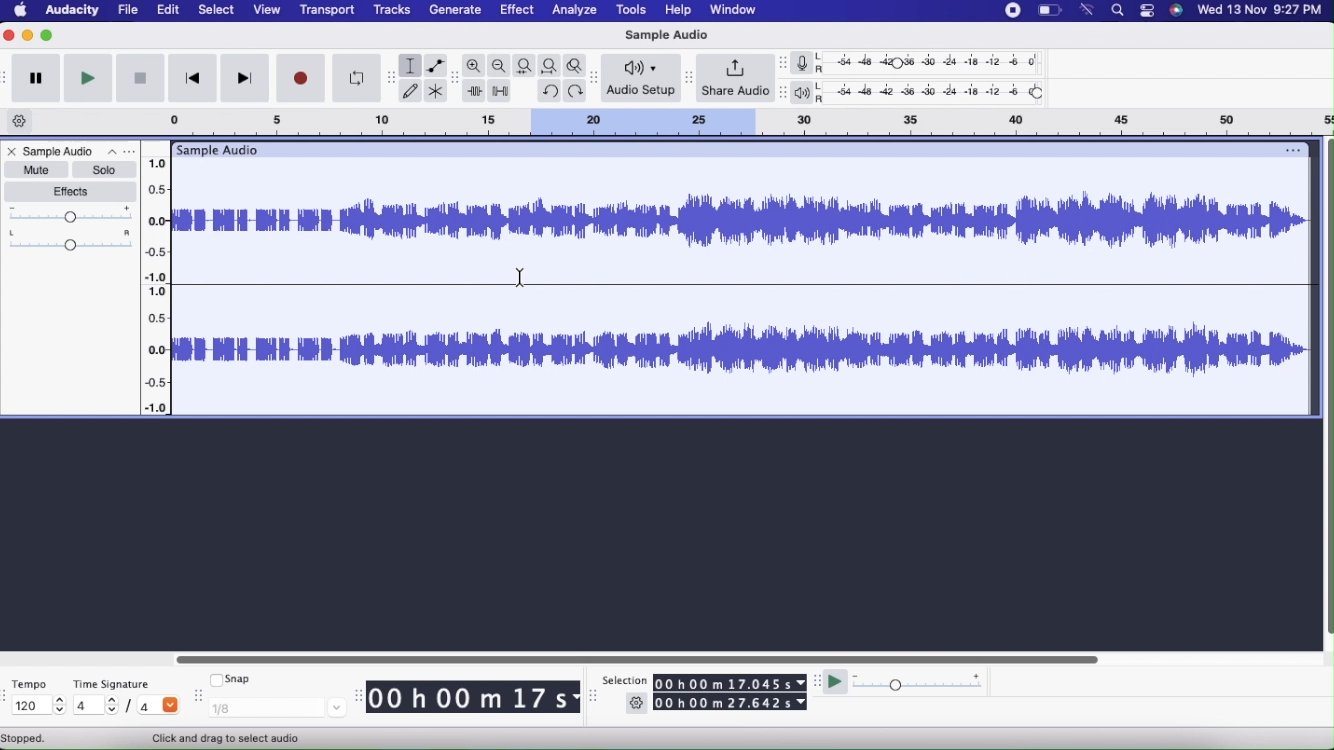 This screenshot has height=750, width=1334. I want to click on Tempo, so click(34, 682).